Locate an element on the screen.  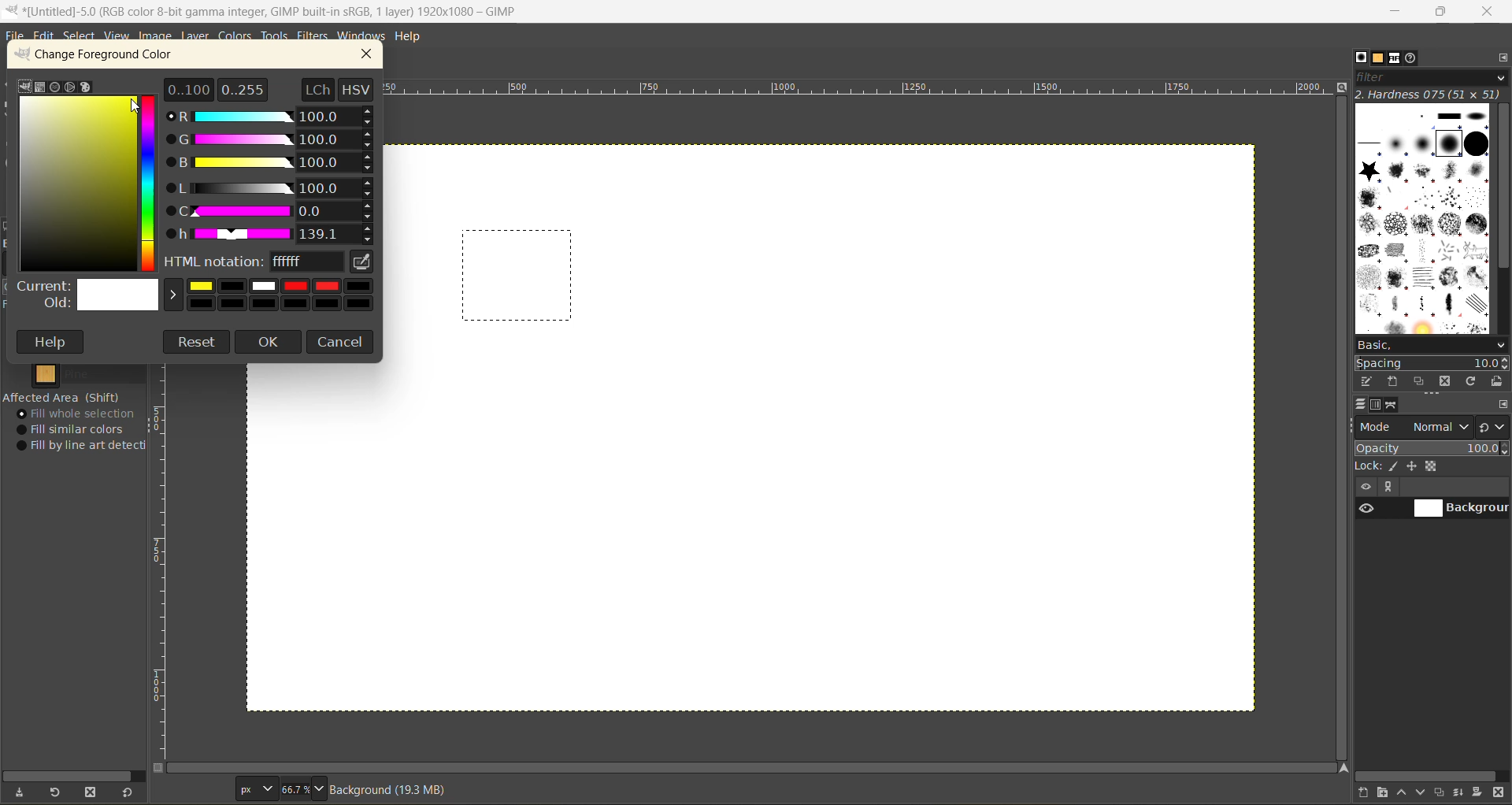
LCH is located at coordinates (316, 88).